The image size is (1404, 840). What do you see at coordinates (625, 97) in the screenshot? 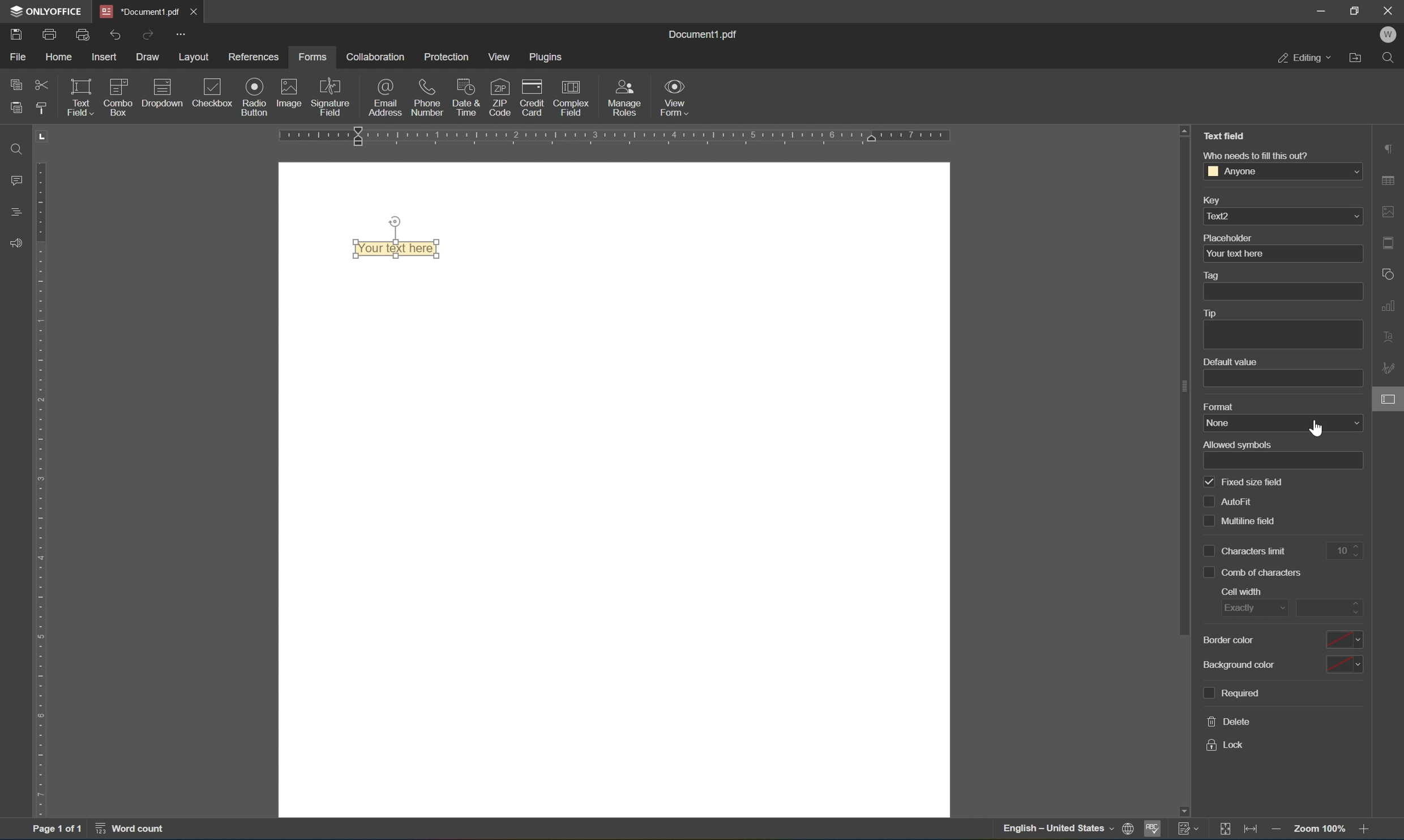
I see `manage roles` at bounding box center [625, 97].